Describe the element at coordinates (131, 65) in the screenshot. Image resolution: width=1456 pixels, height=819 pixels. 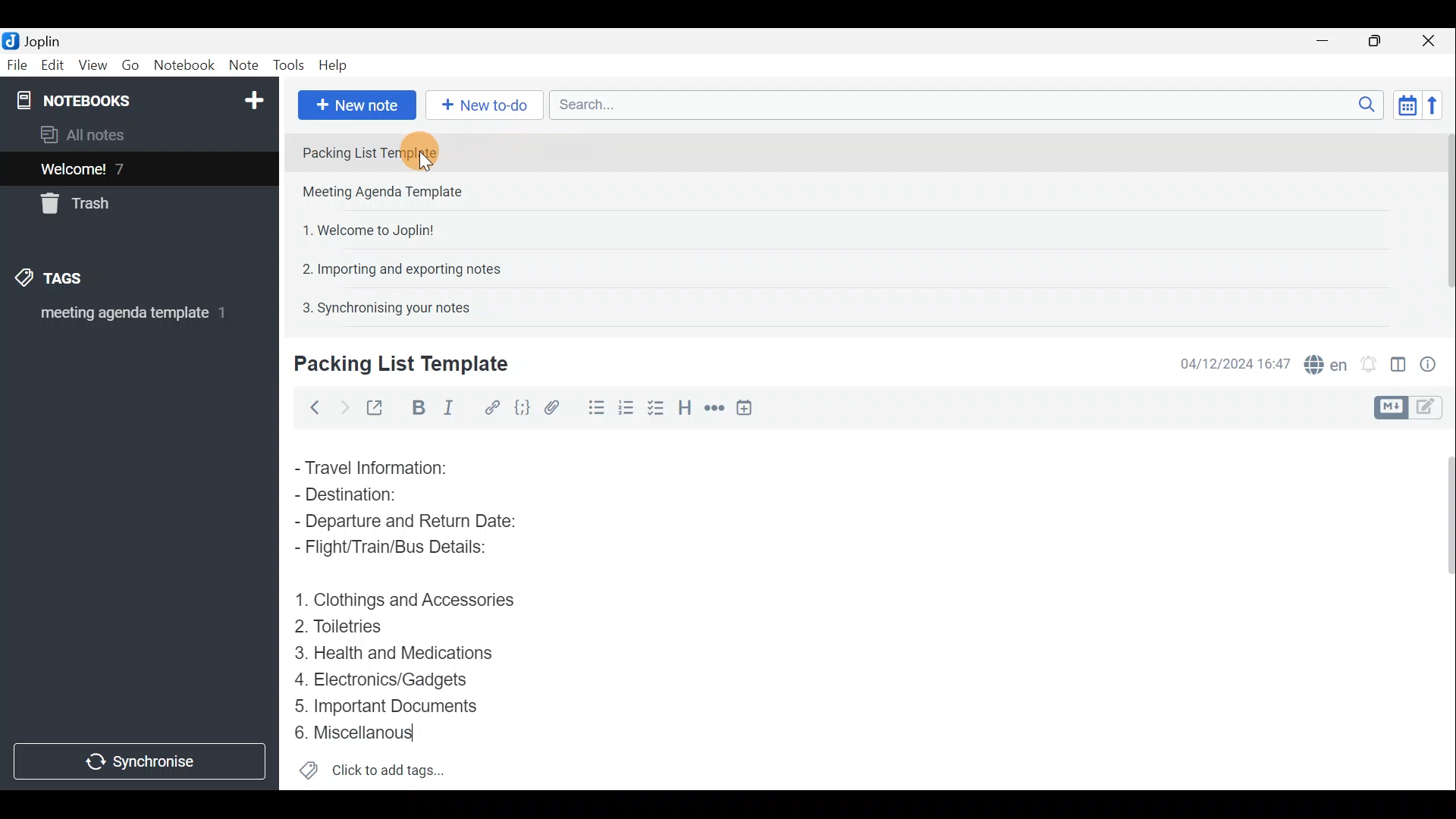
I see `Go` at that location.